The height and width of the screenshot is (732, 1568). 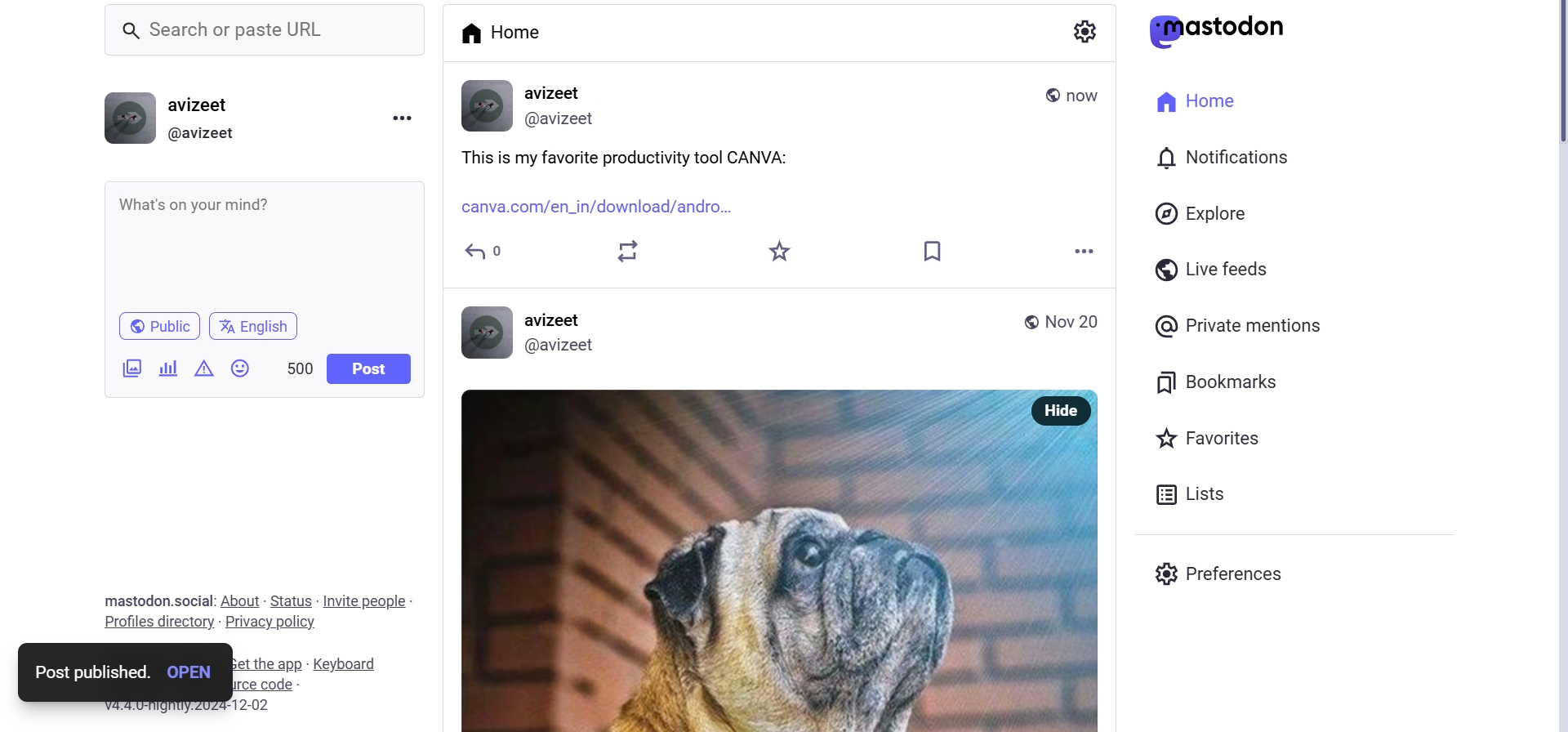 What do you see at coordinates (292, 597) in the screenshot?
I see `status` at bounding box center [292, 597].